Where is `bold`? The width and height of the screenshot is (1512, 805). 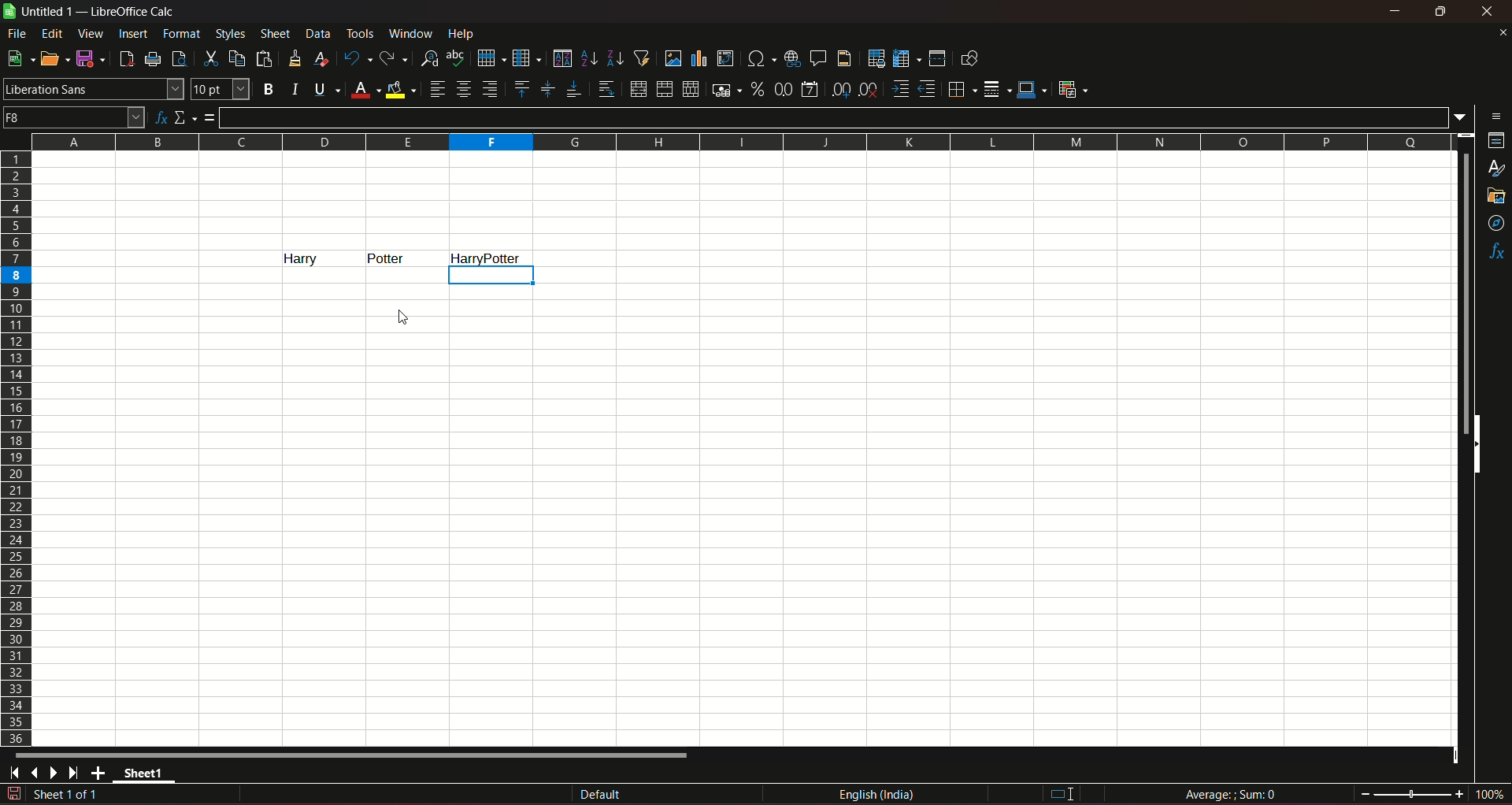
bold is located at coordinates (268, 90).